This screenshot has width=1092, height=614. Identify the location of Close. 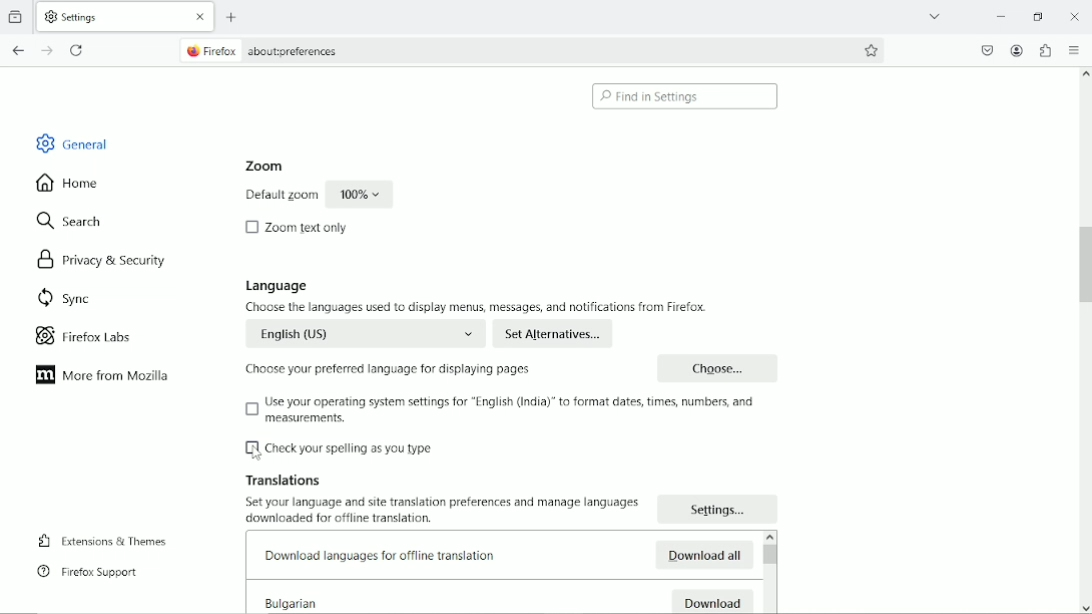
(1074, 16).